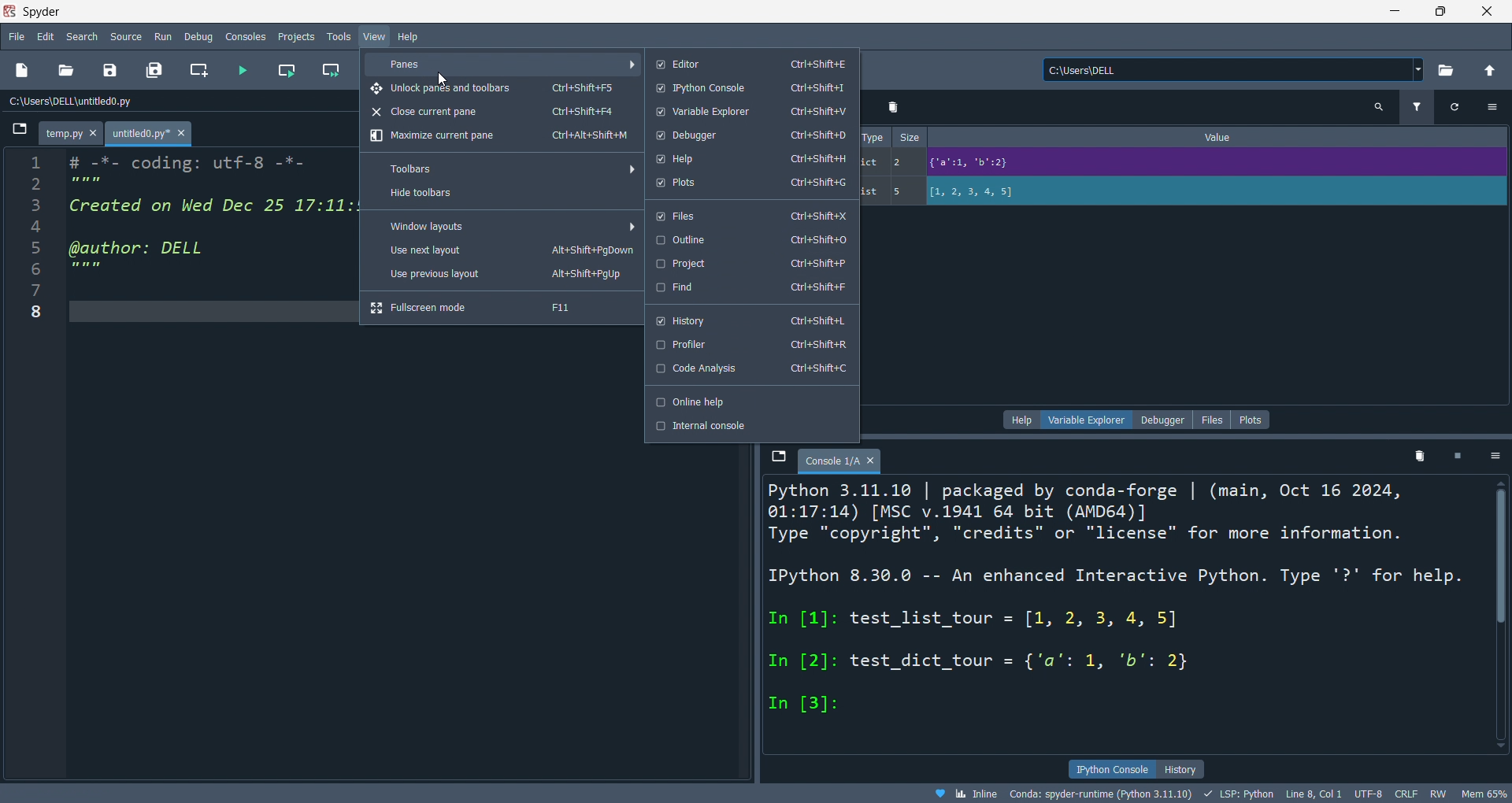  I want to click on project, so click(753, 262).